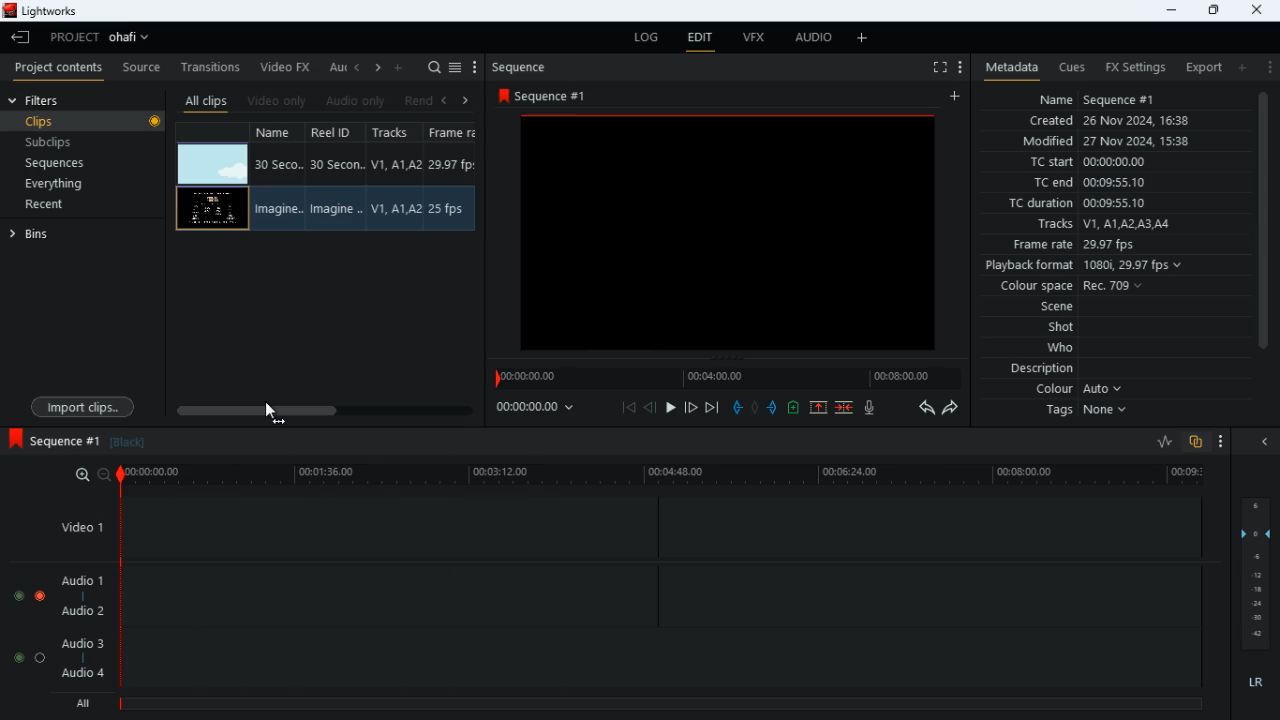  What do you see at coordinates (98, 122) in the screenshot?
I see `clips` at bounding box center [98, 122].